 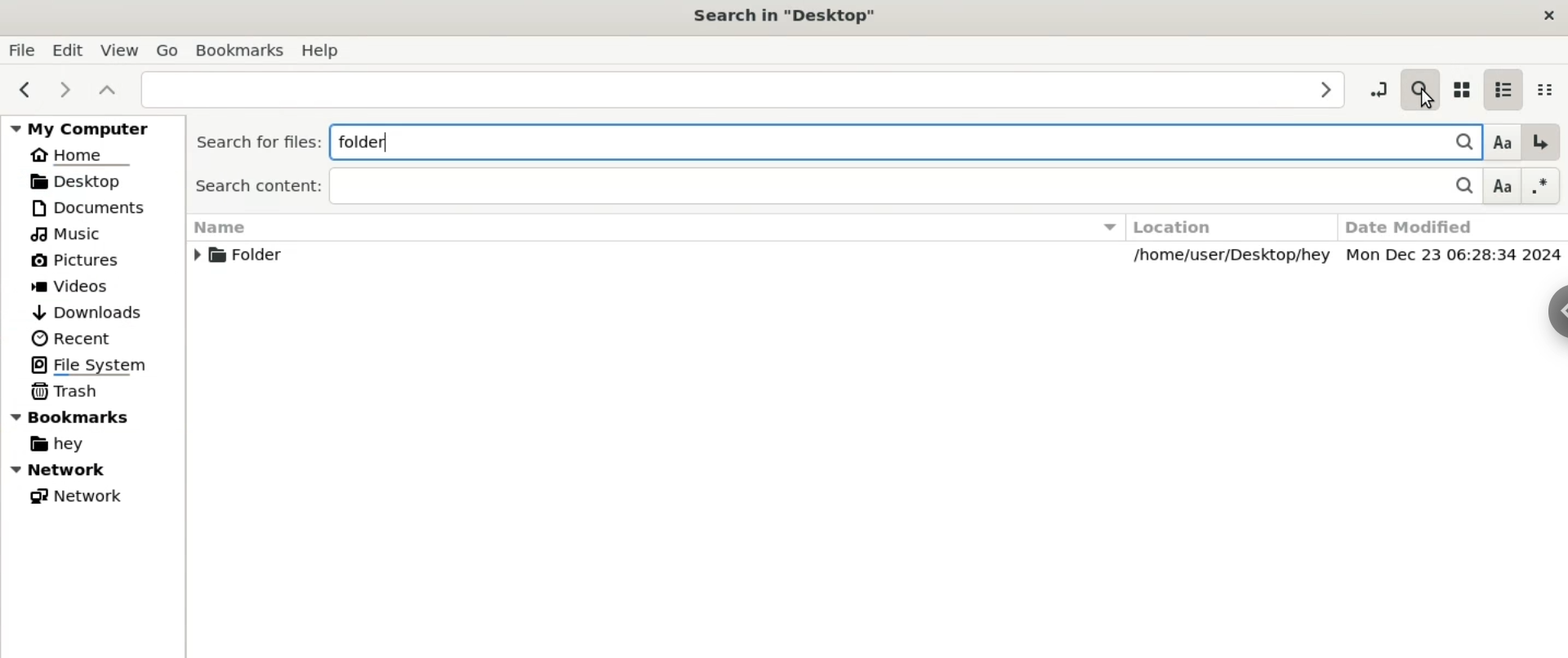 What do you see at coordinates (65, 48) in the screenshot?
I see `Edit` at bounding box center [65, 48].